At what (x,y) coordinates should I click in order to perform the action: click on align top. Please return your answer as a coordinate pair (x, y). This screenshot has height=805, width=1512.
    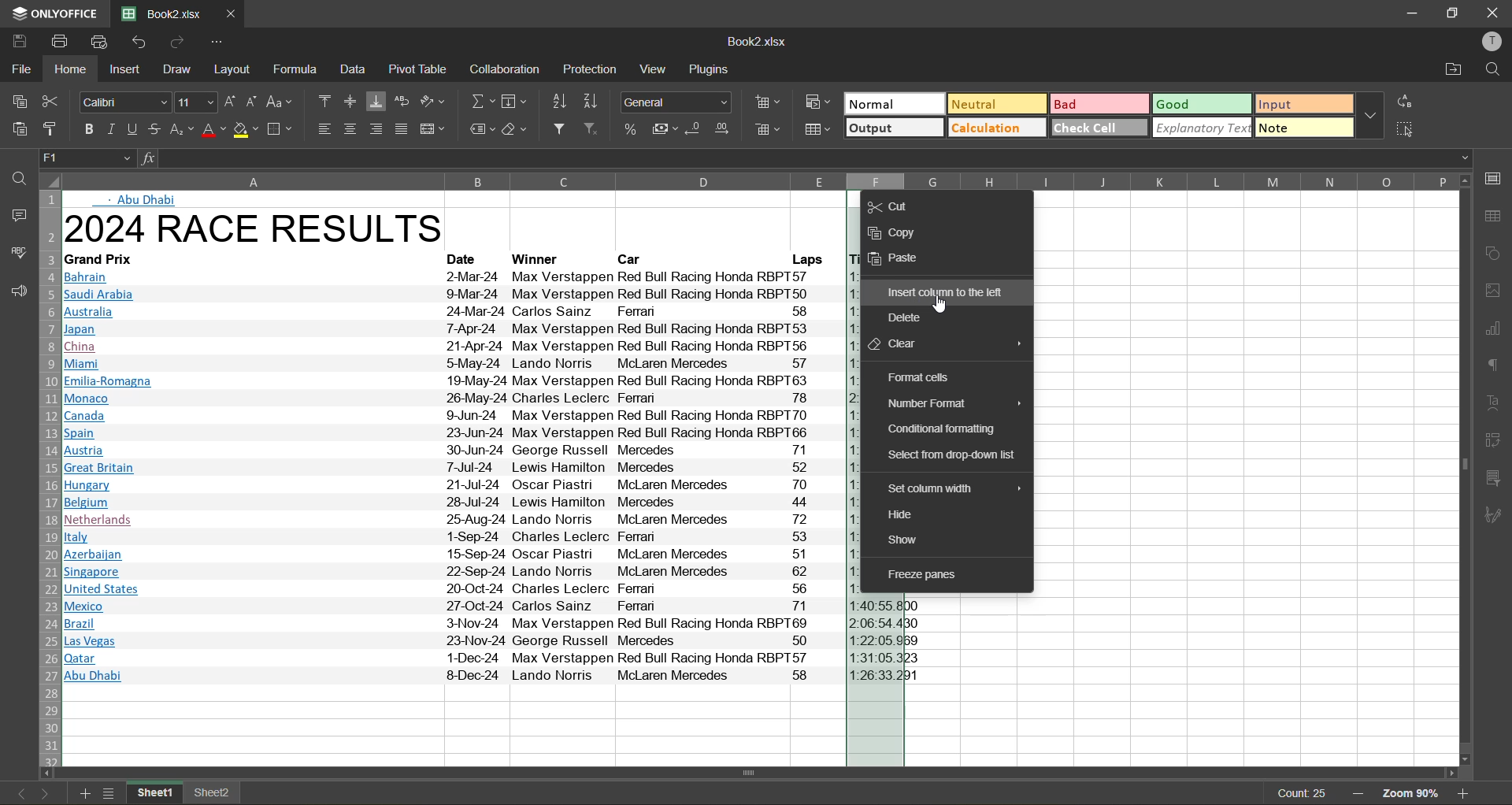
    Looking at the image, I should click on (321, 100).